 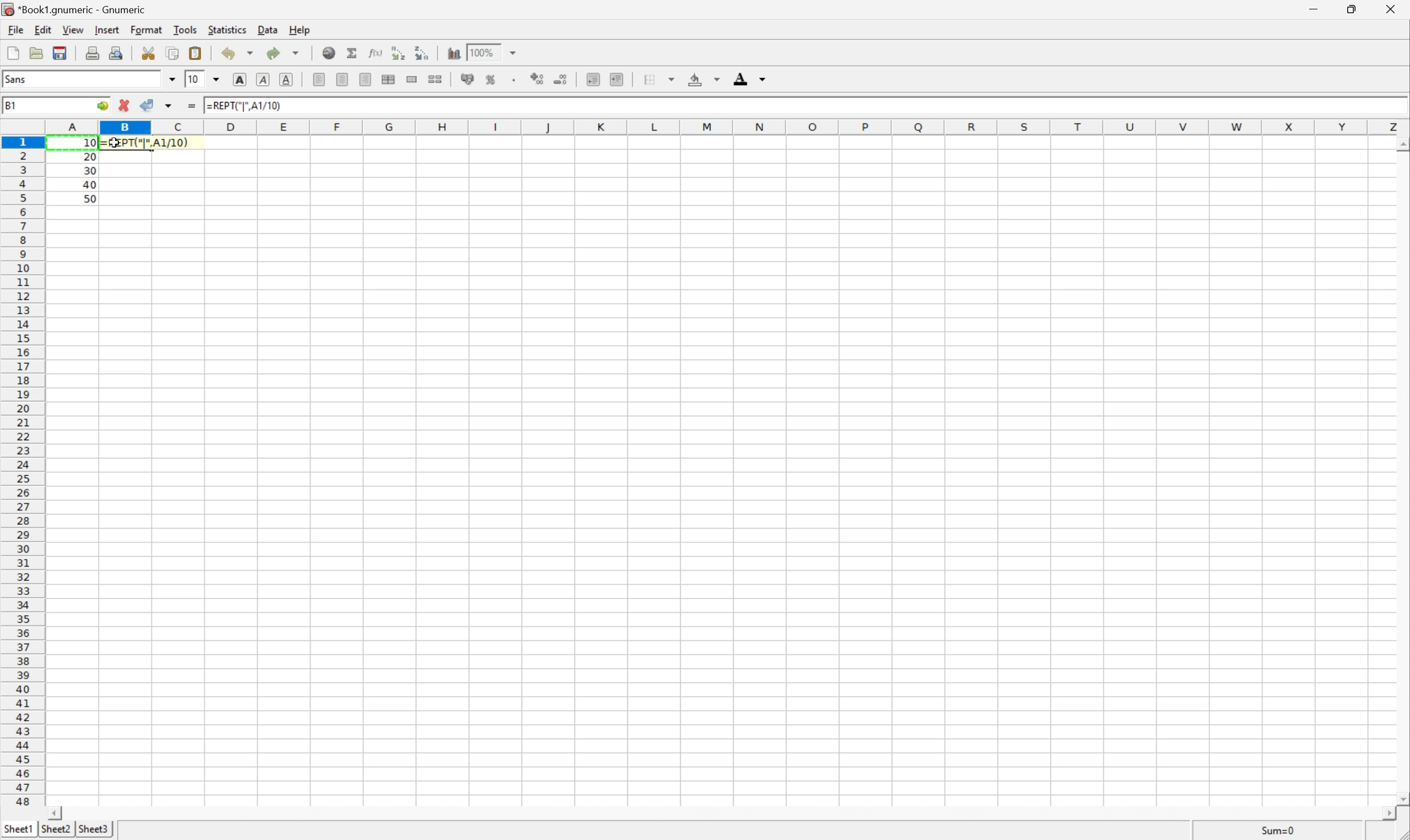 What do you see at coordinates (92, 143) in the screenshot?
I see `10` at bounding box center [92, 143].